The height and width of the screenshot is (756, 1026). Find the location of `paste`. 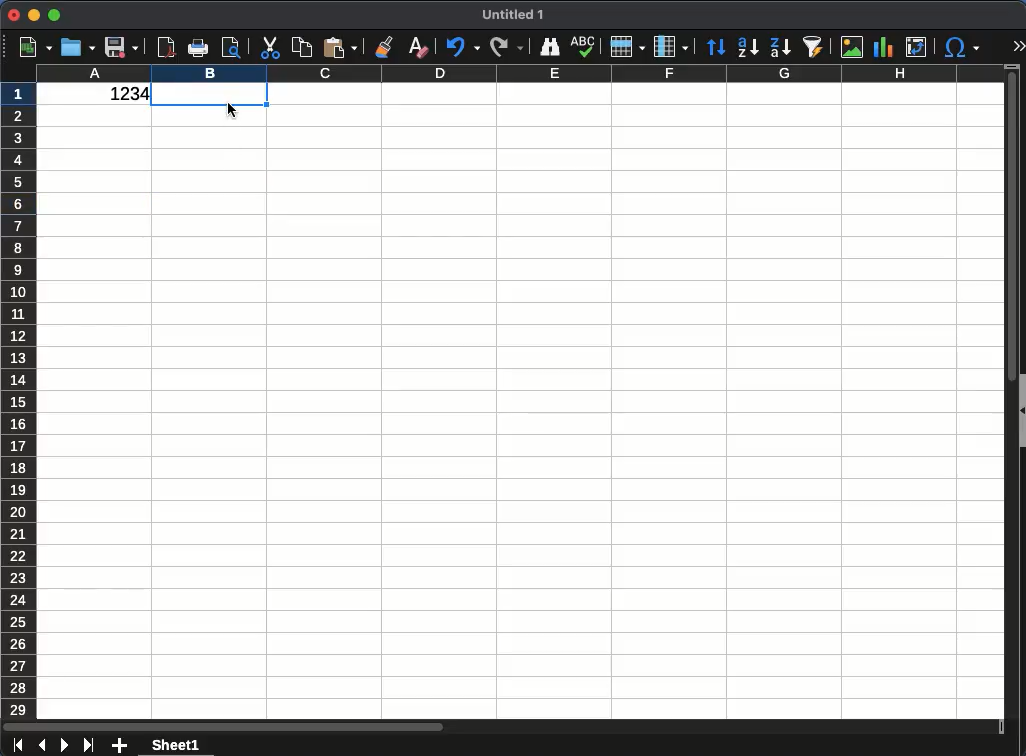

paste is located at coordinates (340, 47).